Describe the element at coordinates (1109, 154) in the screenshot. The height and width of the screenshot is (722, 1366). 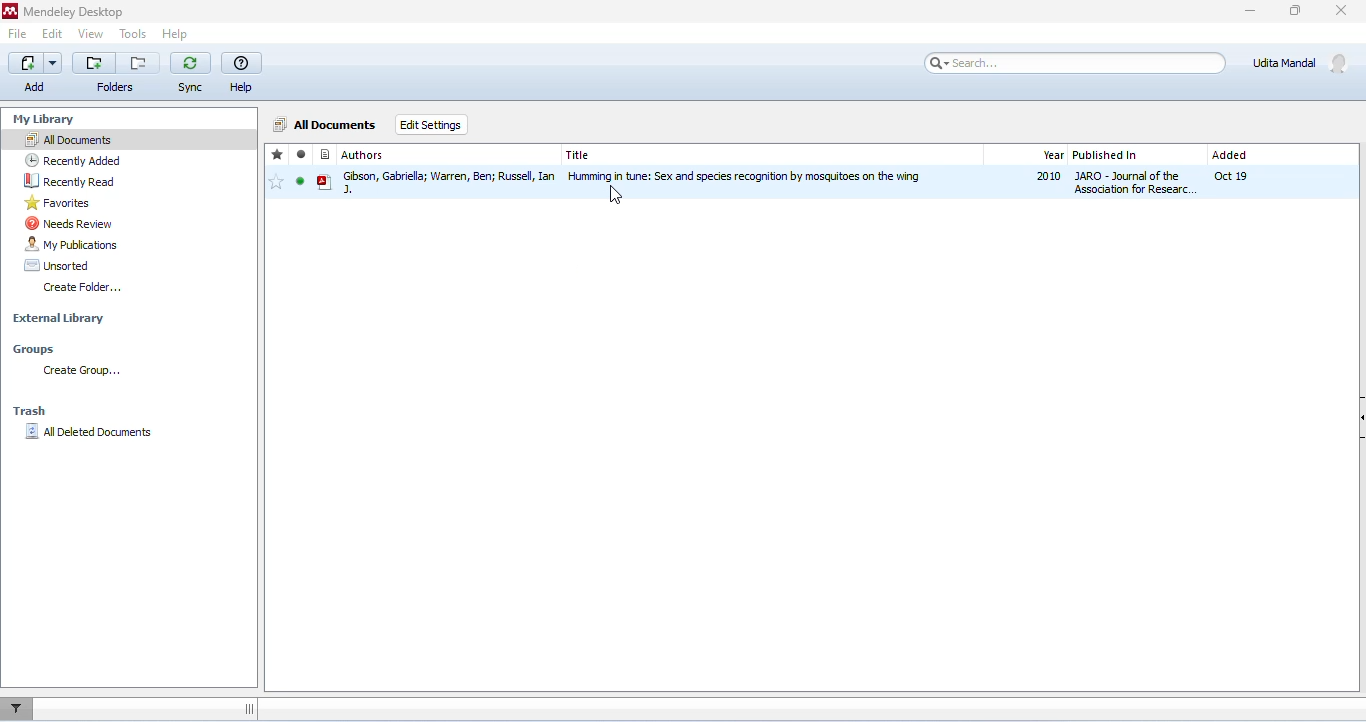
I see `published in` at that location.